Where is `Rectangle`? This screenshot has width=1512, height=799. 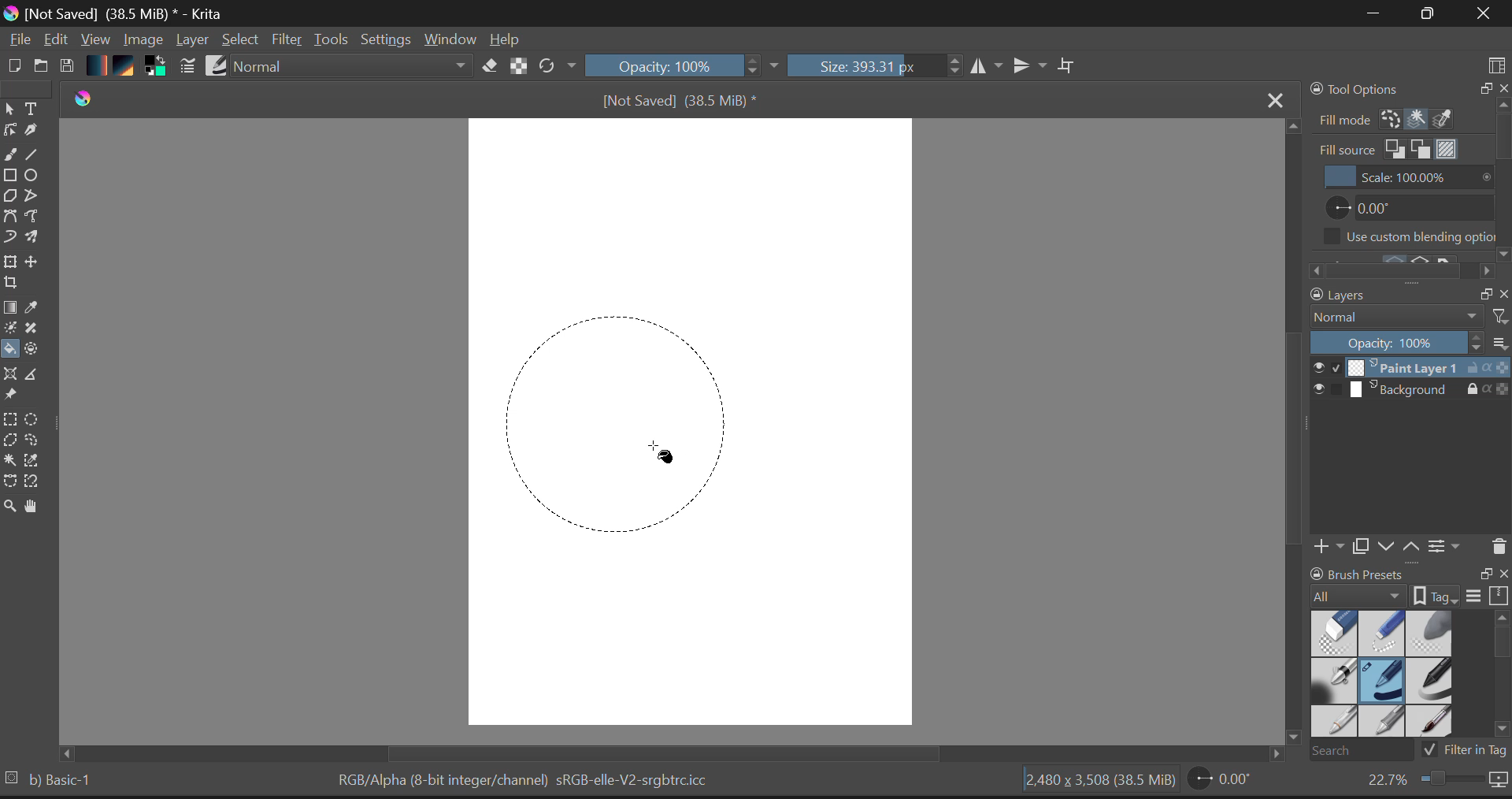
Rectangle is located at coordinates (13, 178).